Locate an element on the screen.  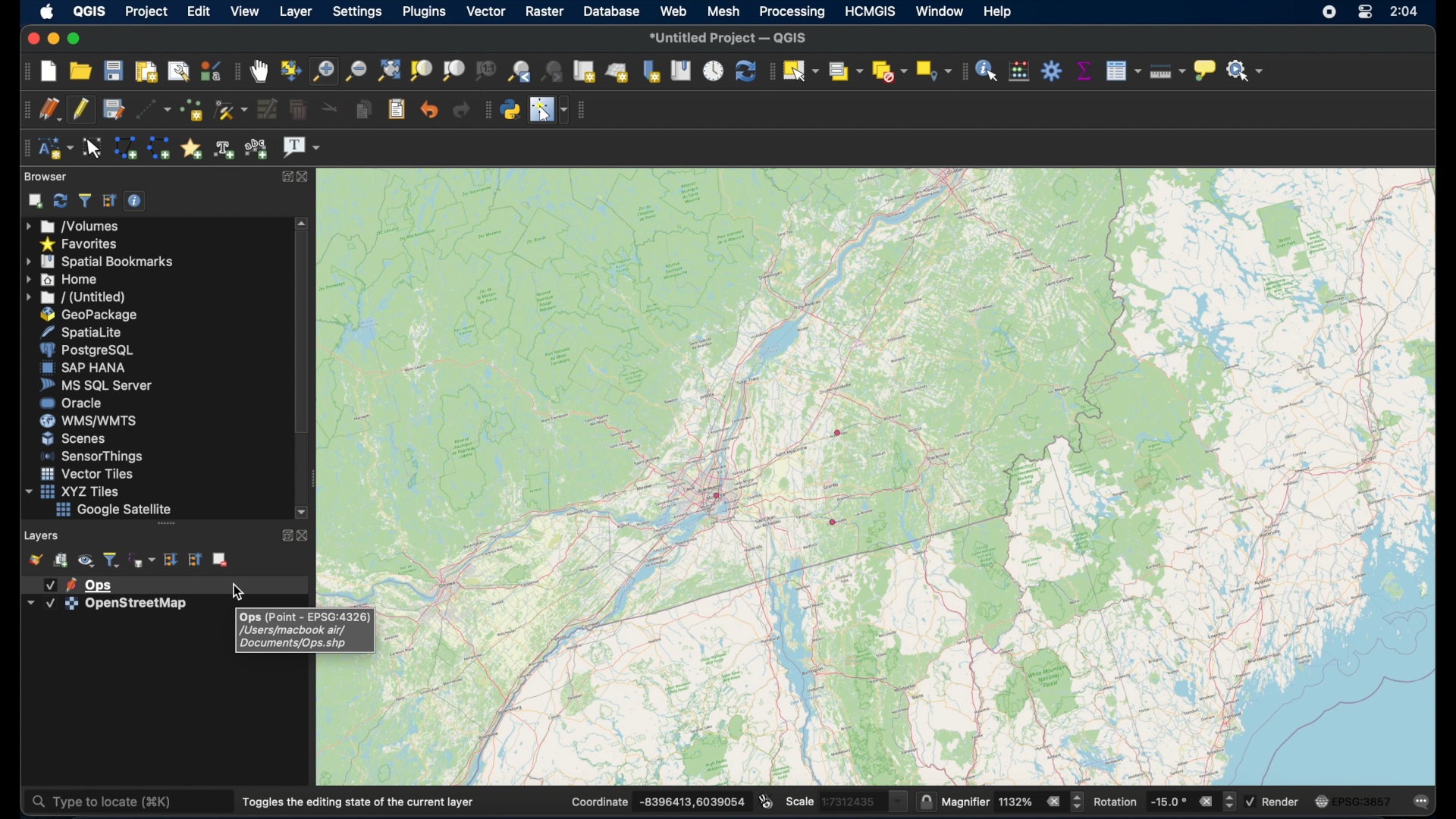
identify features is located at coordinates (989, 71).